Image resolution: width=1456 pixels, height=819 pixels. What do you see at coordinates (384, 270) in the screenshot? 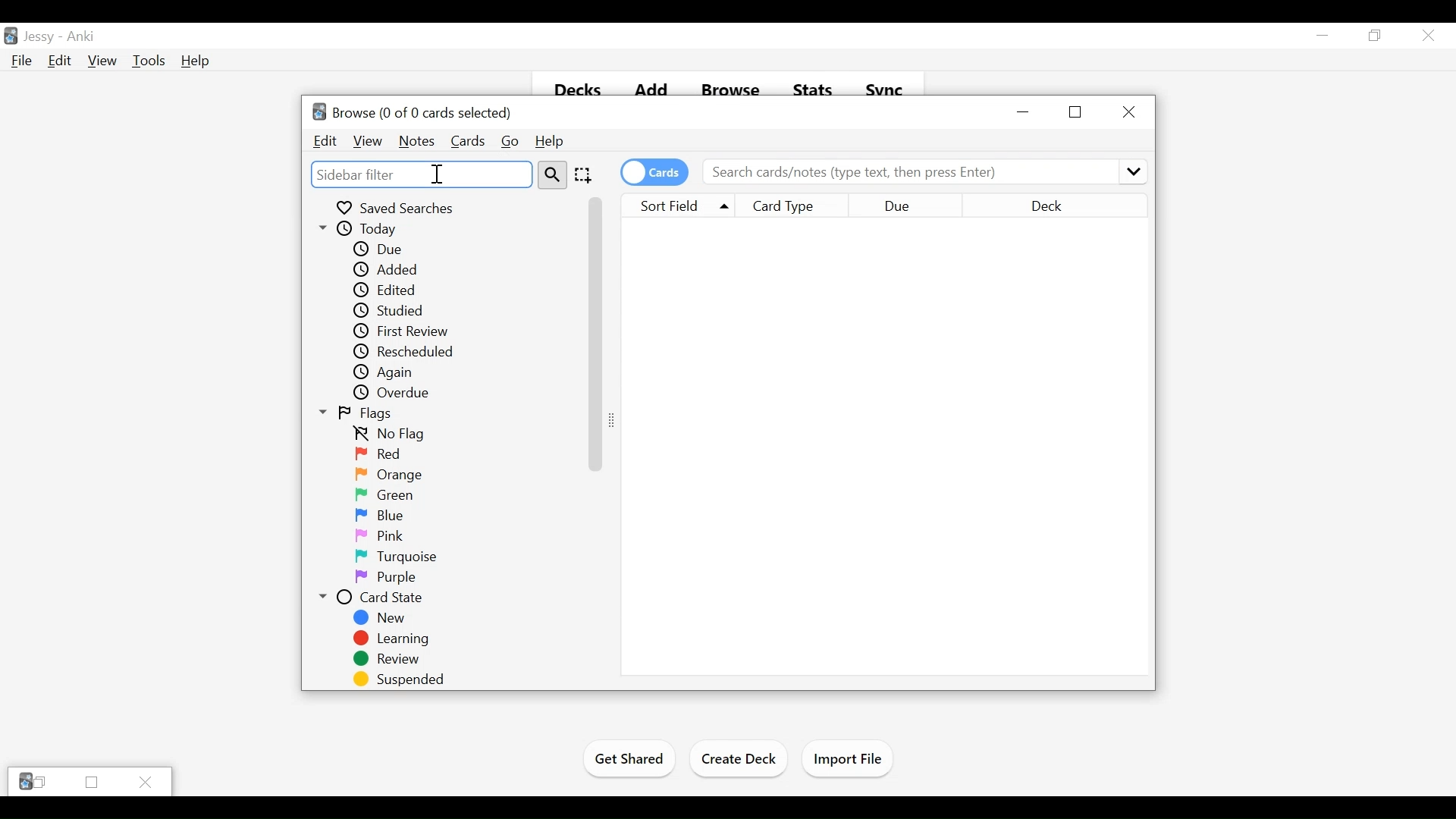
I see `Added` at bounding box center [384, 270].